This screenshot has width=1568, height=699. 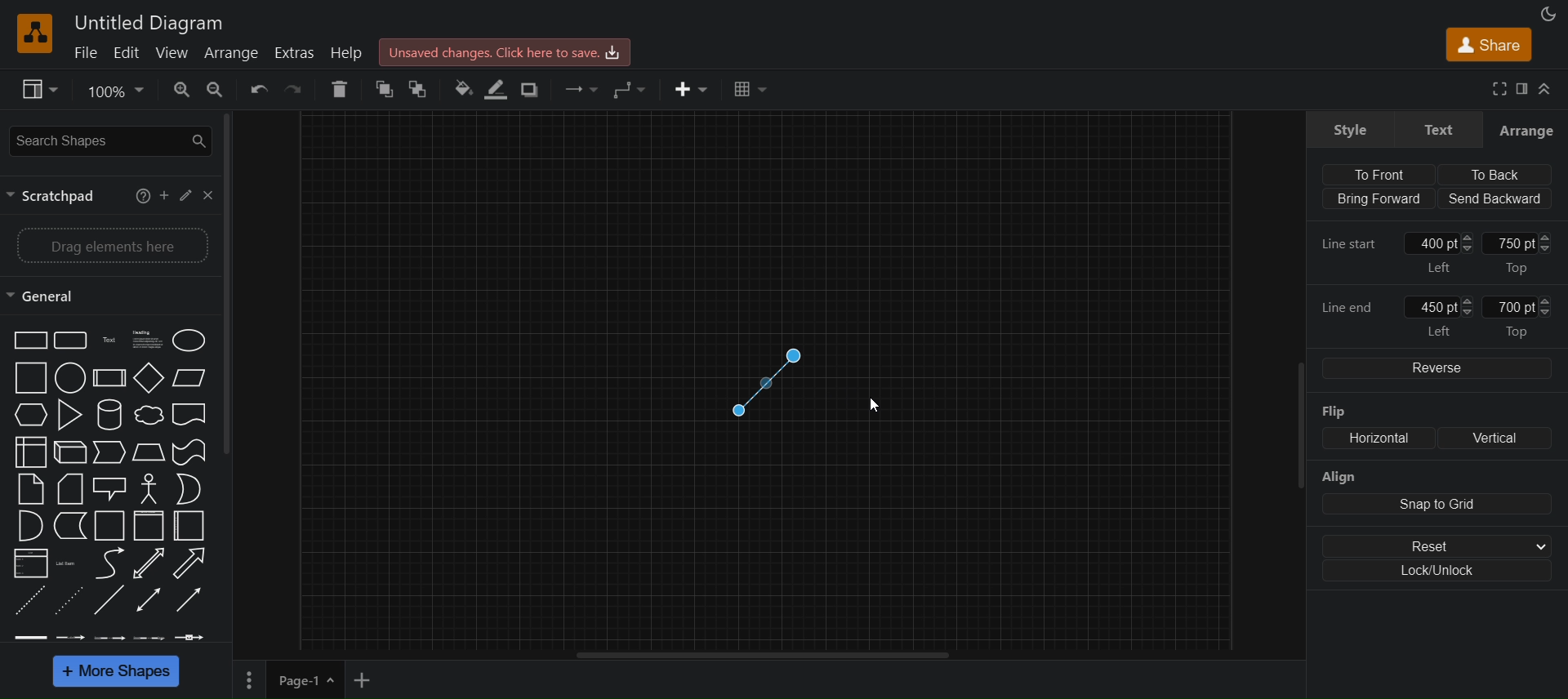 I want to click on Horizontal container, so click(x=193, y=527).